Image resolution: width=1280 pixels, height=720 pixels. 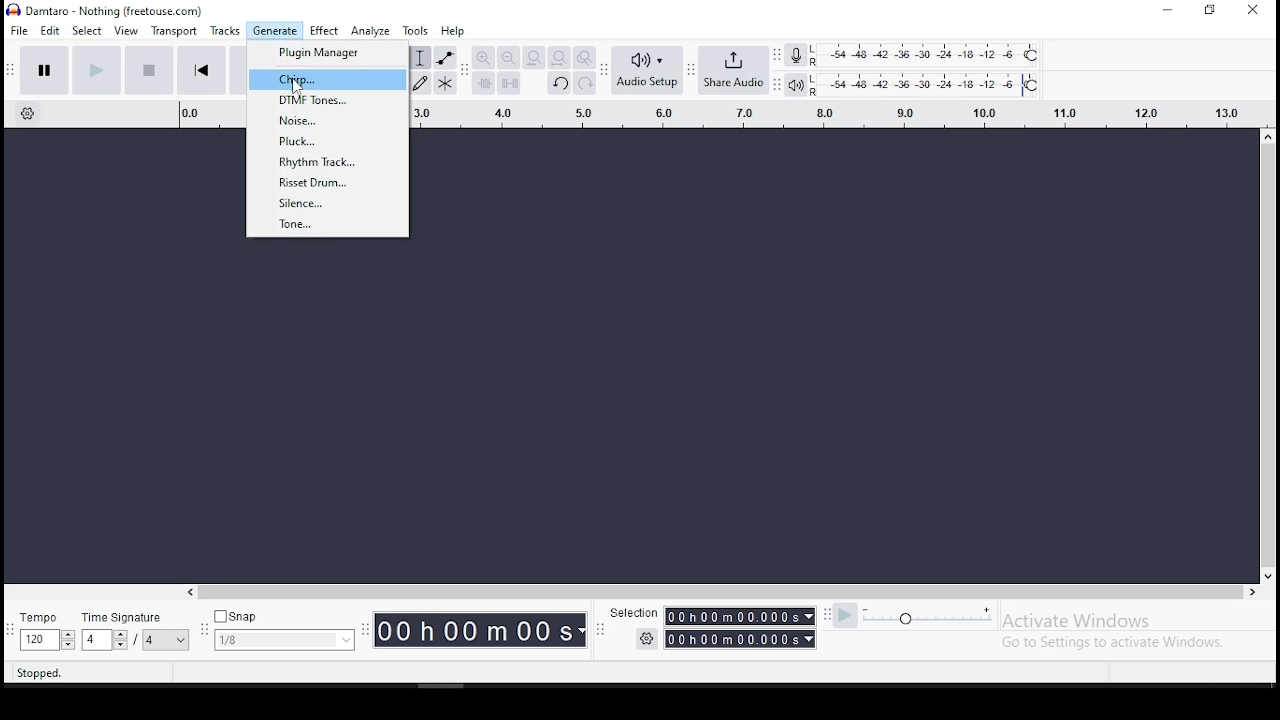 I want to click on timeline settings, so click(x=31, y=115).